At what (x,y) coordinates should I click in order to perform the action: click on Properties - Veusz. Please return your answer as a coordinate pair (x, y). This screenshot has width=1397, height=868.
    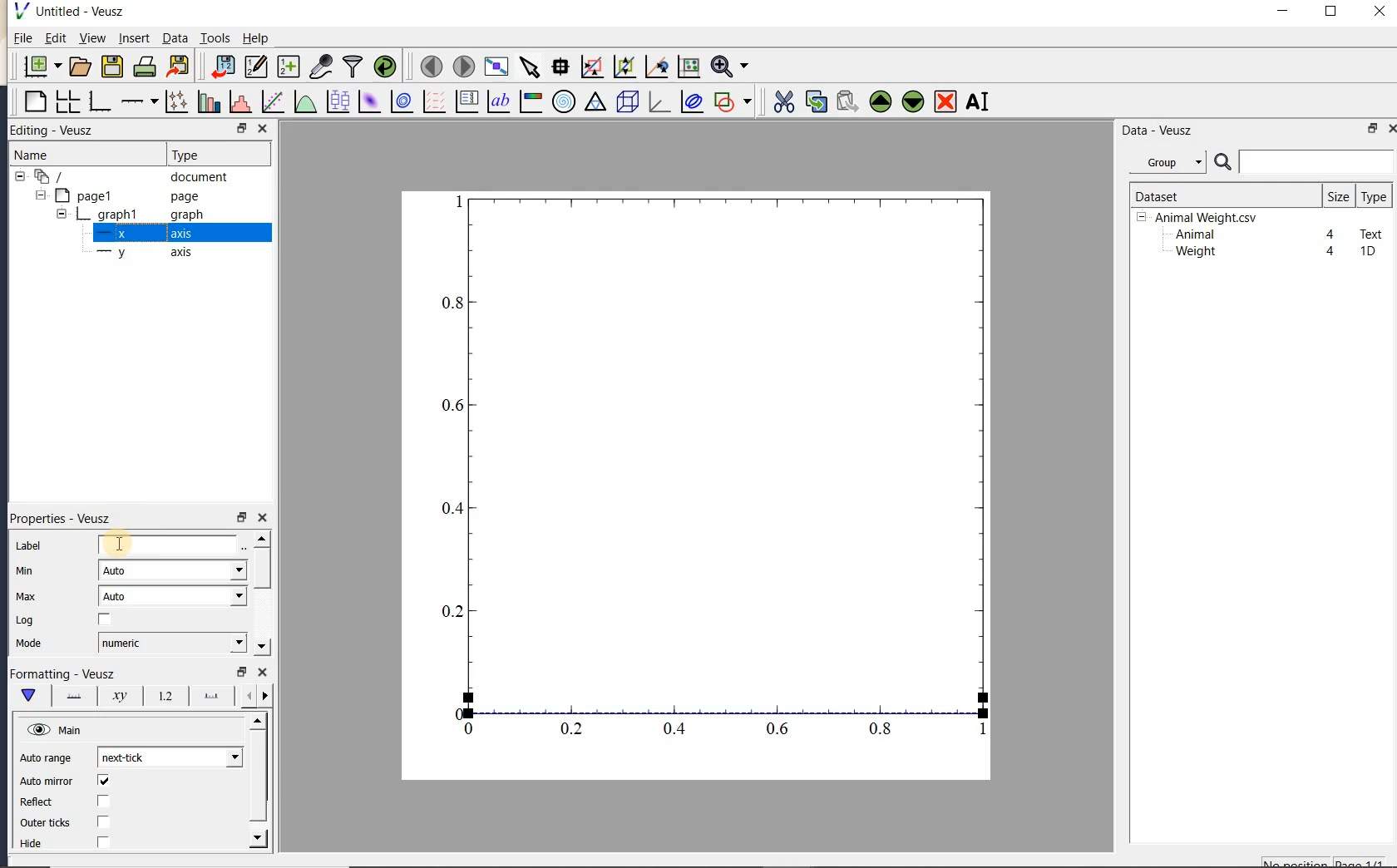
    Looking at the image, I should click on (66, 518).